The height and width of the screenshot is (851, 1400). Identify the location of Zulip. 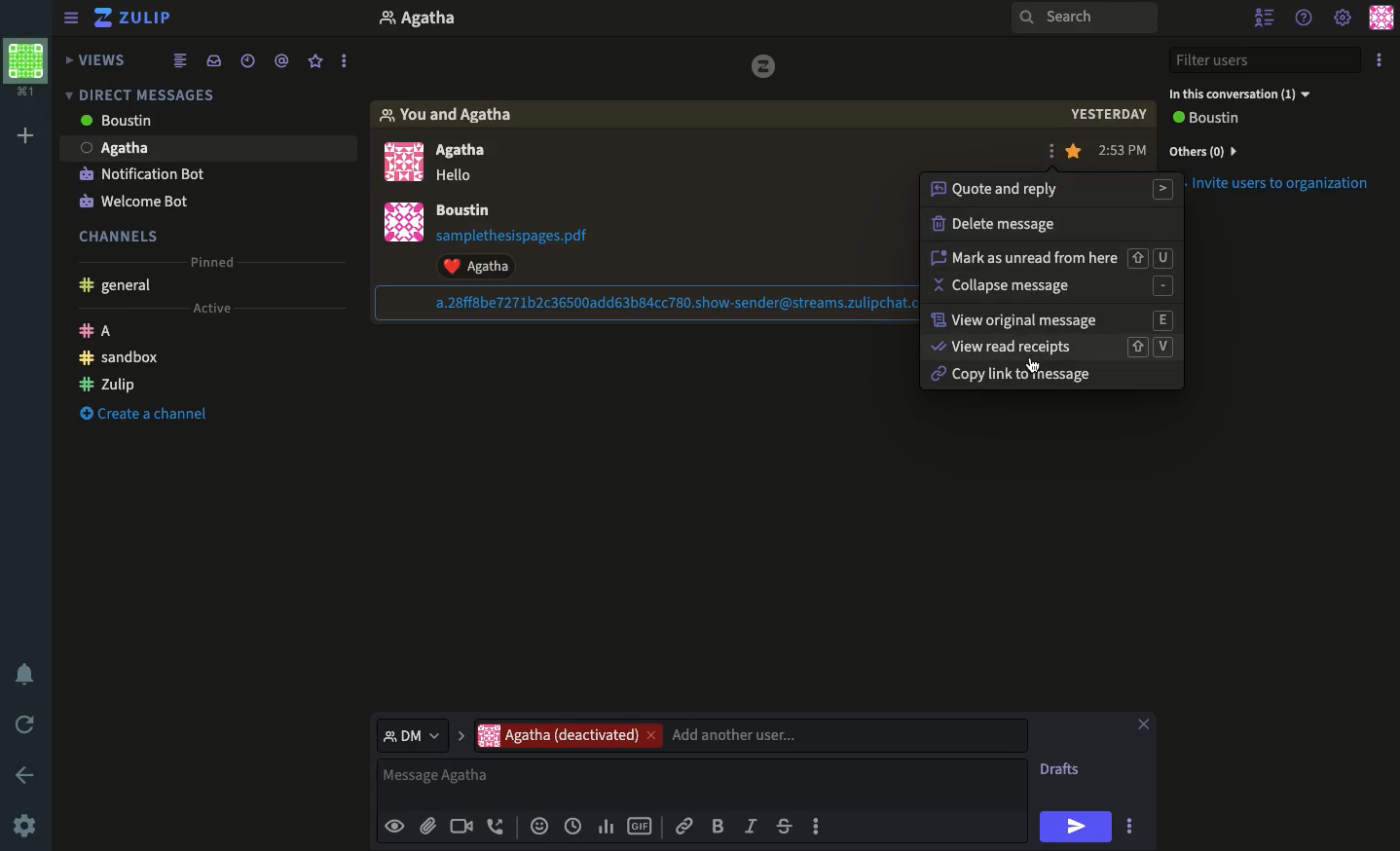
(108, 382).